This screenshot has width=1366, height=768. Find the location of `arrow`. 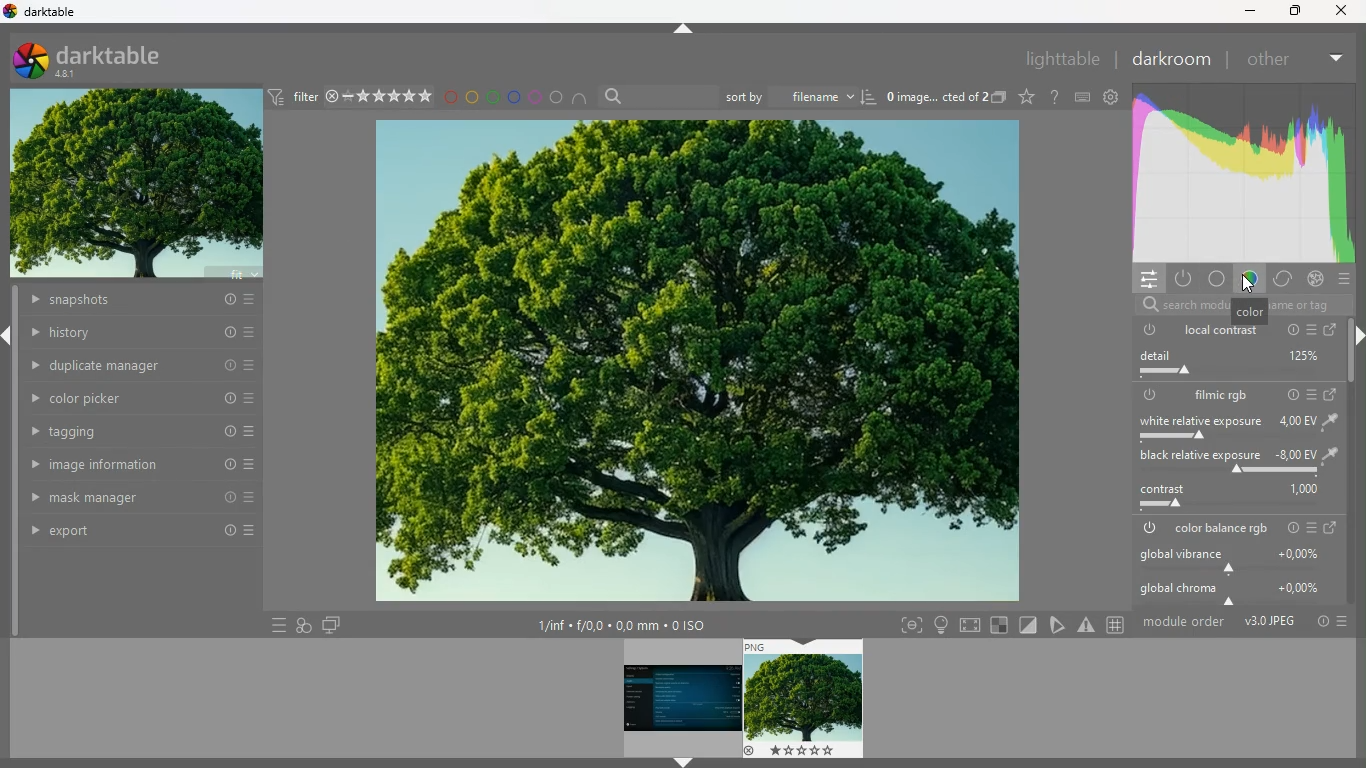

arrow is located at coordinates (1357, 338).